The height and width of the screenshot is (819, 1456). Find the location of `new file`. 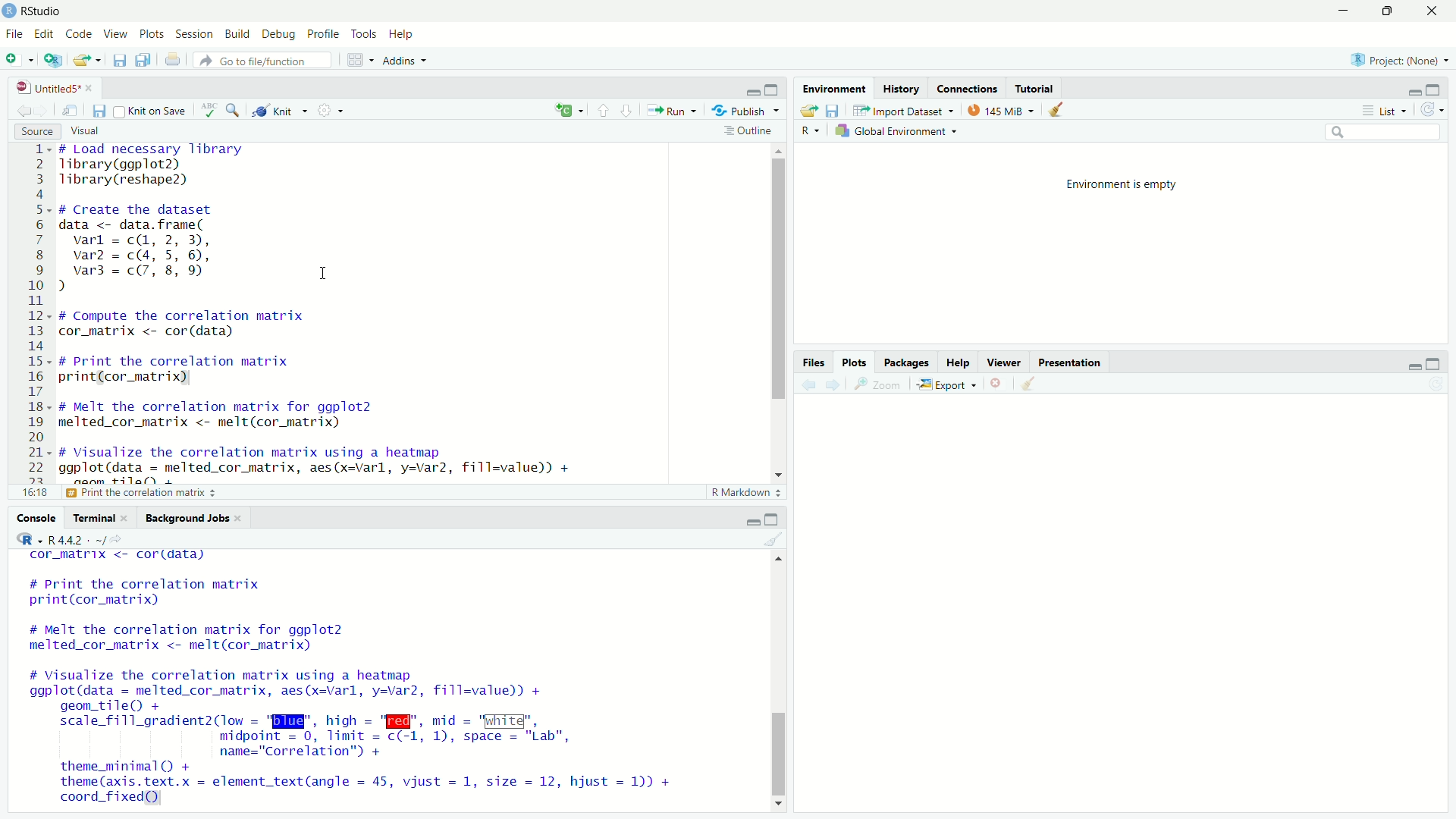

new file is located at coordinates (15, 60).